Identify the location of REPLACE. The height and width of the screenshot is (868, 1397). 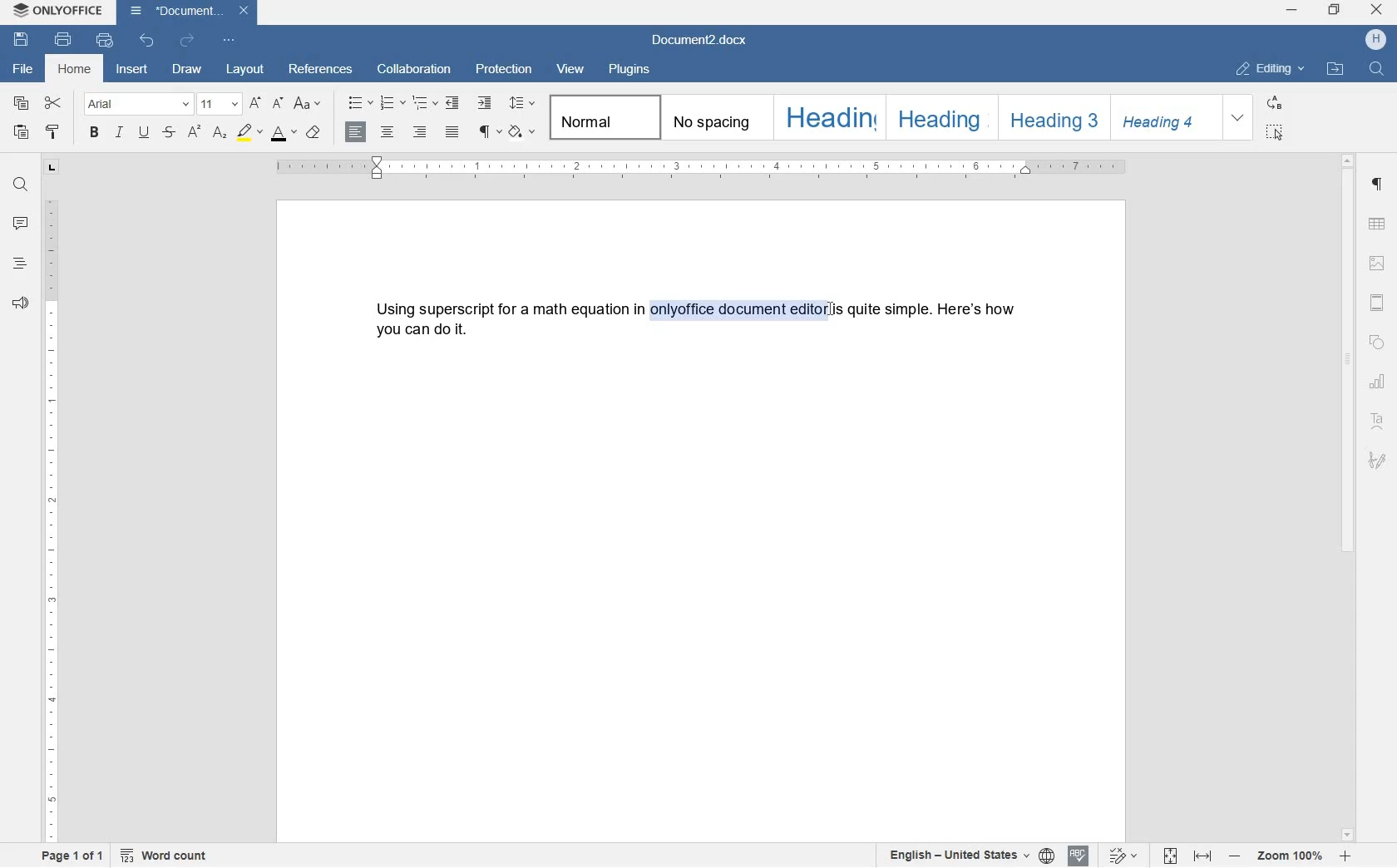
(1275, 104).